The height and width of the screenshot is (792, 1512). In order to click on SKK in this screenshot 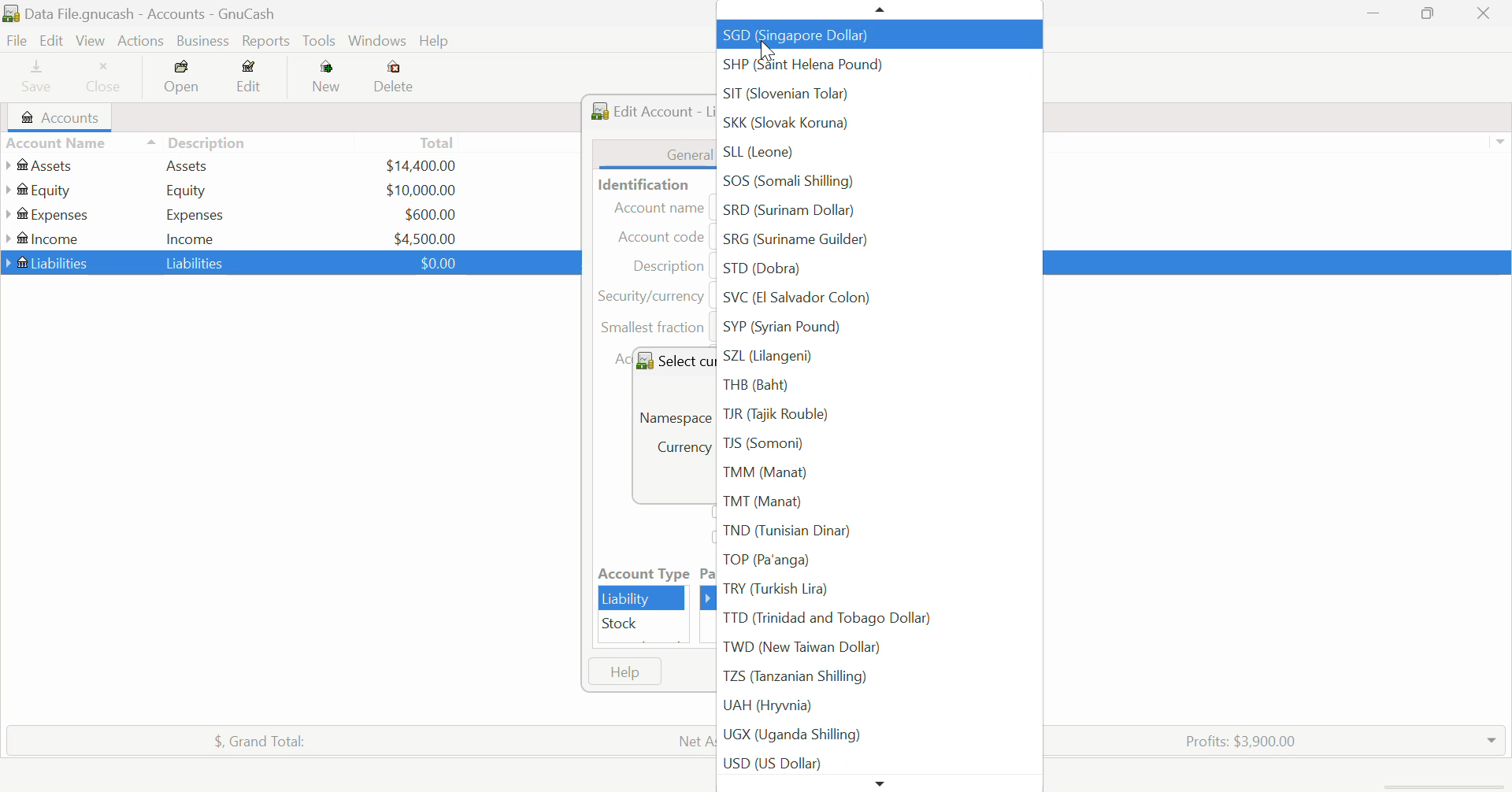, I will do `click(878, 128)`.